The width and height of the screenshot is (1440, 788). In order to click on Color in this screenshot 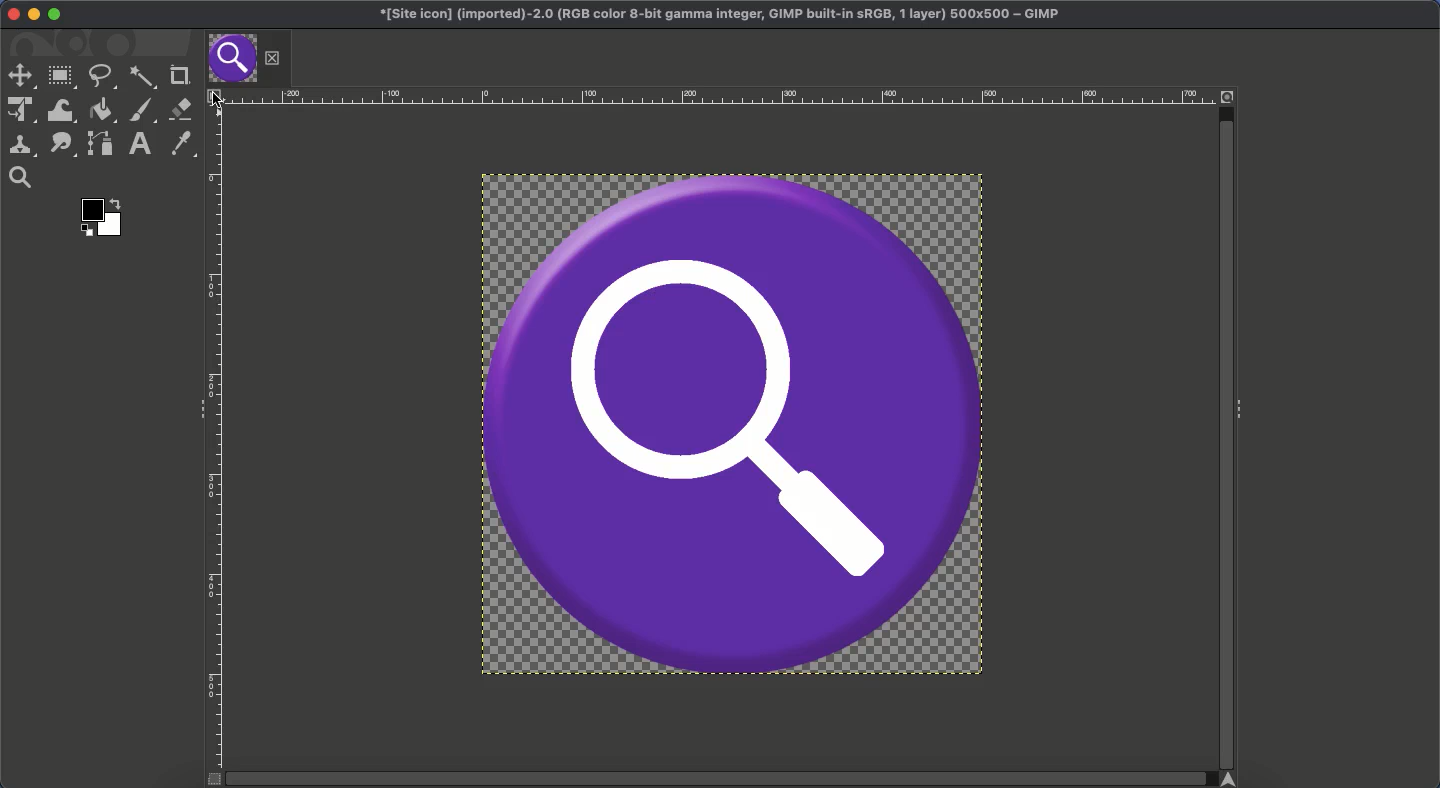, I will do `click(103, 216)`.